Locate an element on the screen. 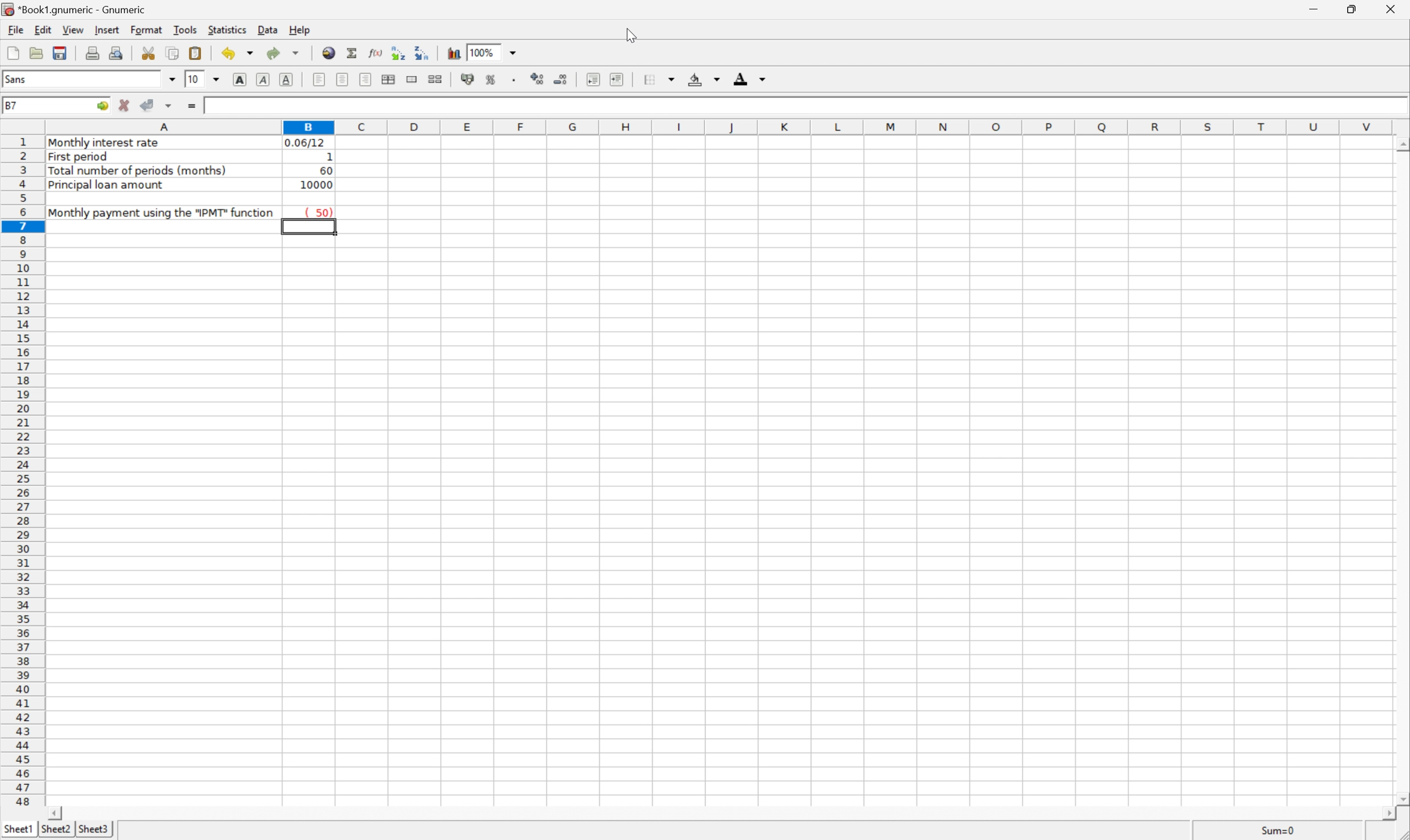 The image size is (1410, 840). ( 50) is located at coordinates (317, 212).